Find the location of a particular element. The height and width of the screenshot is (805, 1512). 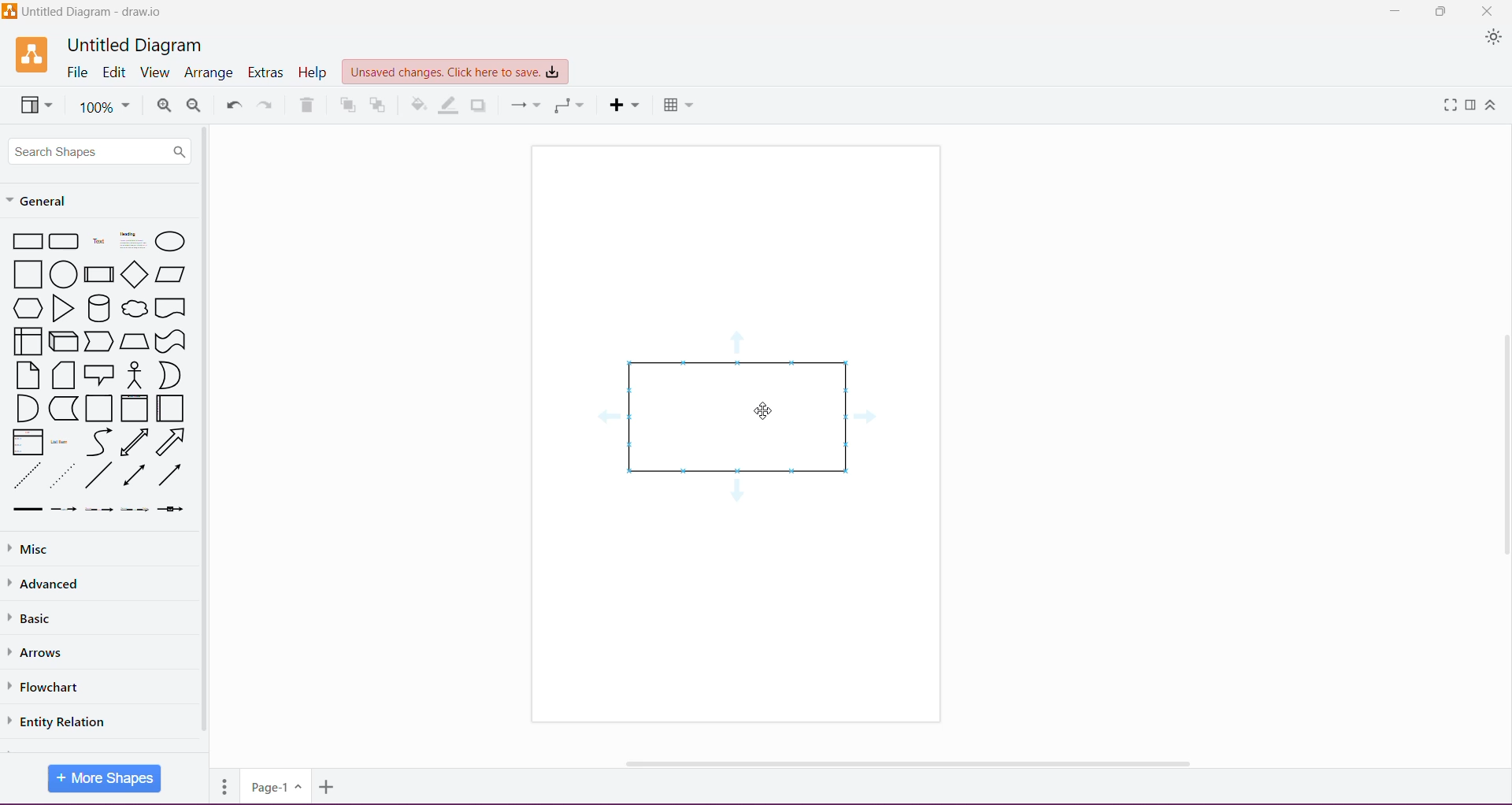

Undo is located at coordinates (235, 102).